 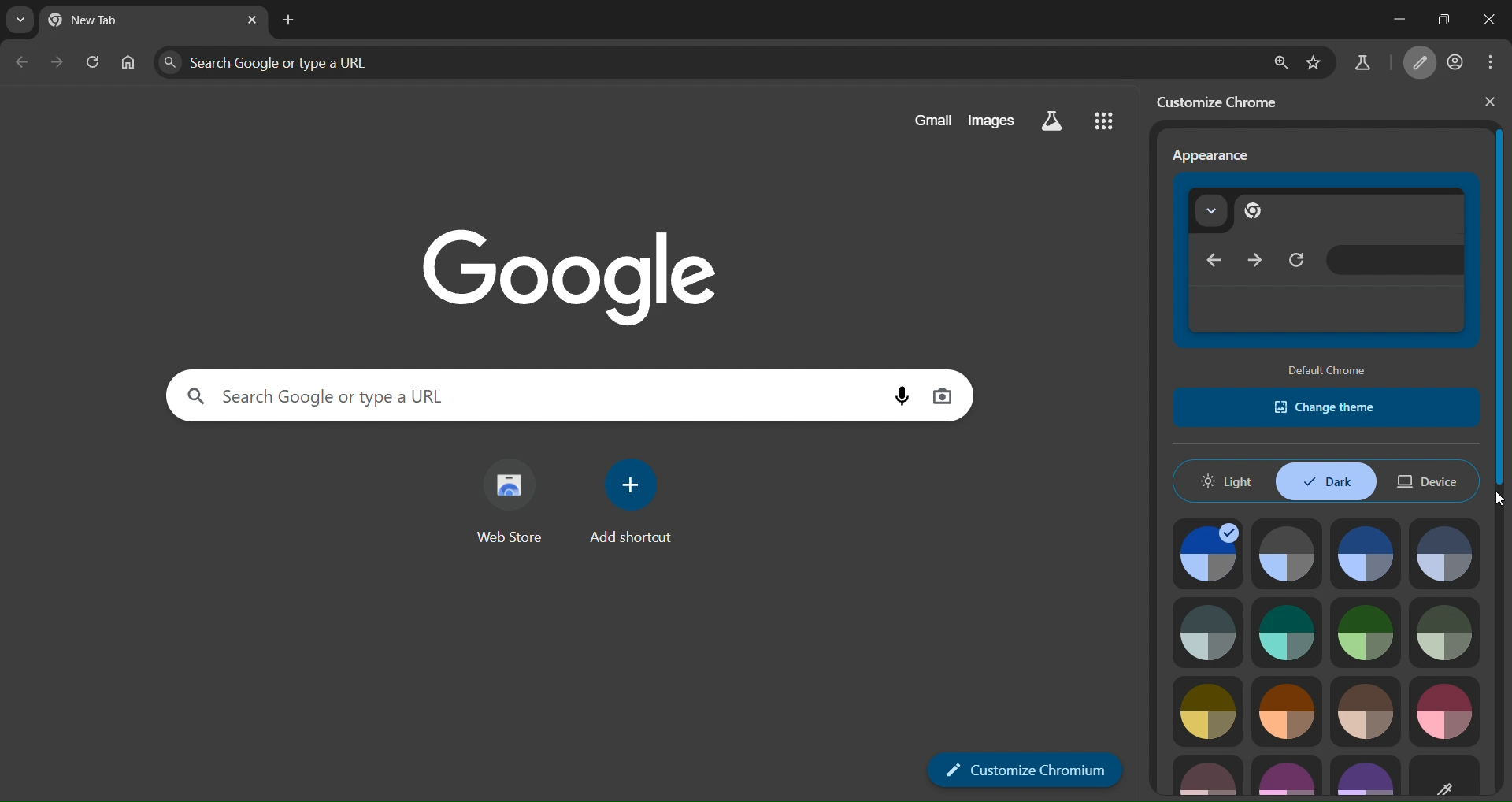 I want to click on zoom , so click(x=1281, y=63).